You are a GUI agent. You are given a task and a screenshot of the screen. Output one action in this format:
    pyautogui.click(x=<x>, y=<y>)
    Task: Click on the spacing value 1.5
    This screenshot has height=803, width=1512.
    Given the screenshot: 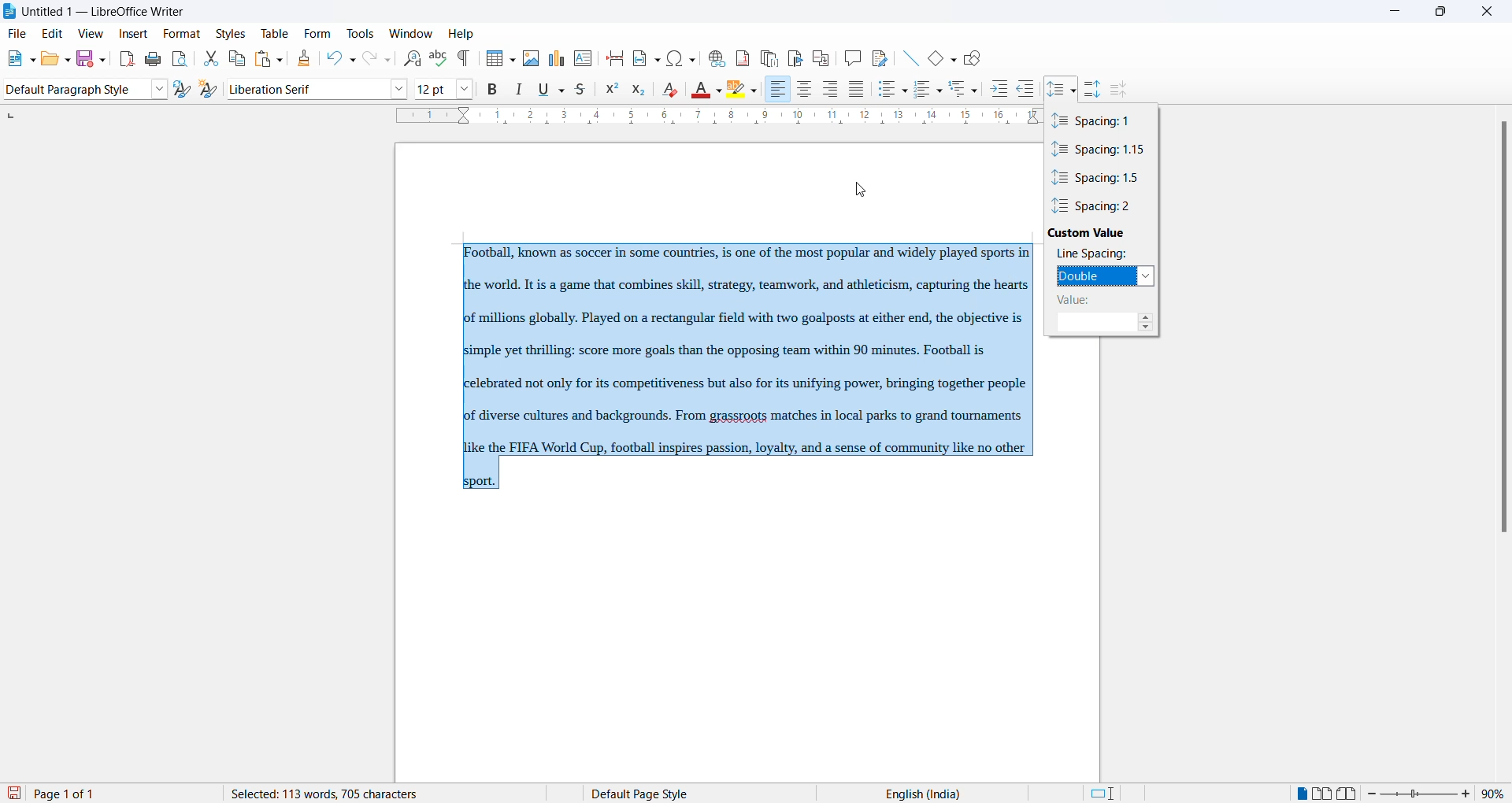 What is the action you would take?
    pyautogui.click(x=1102, y=179)
    